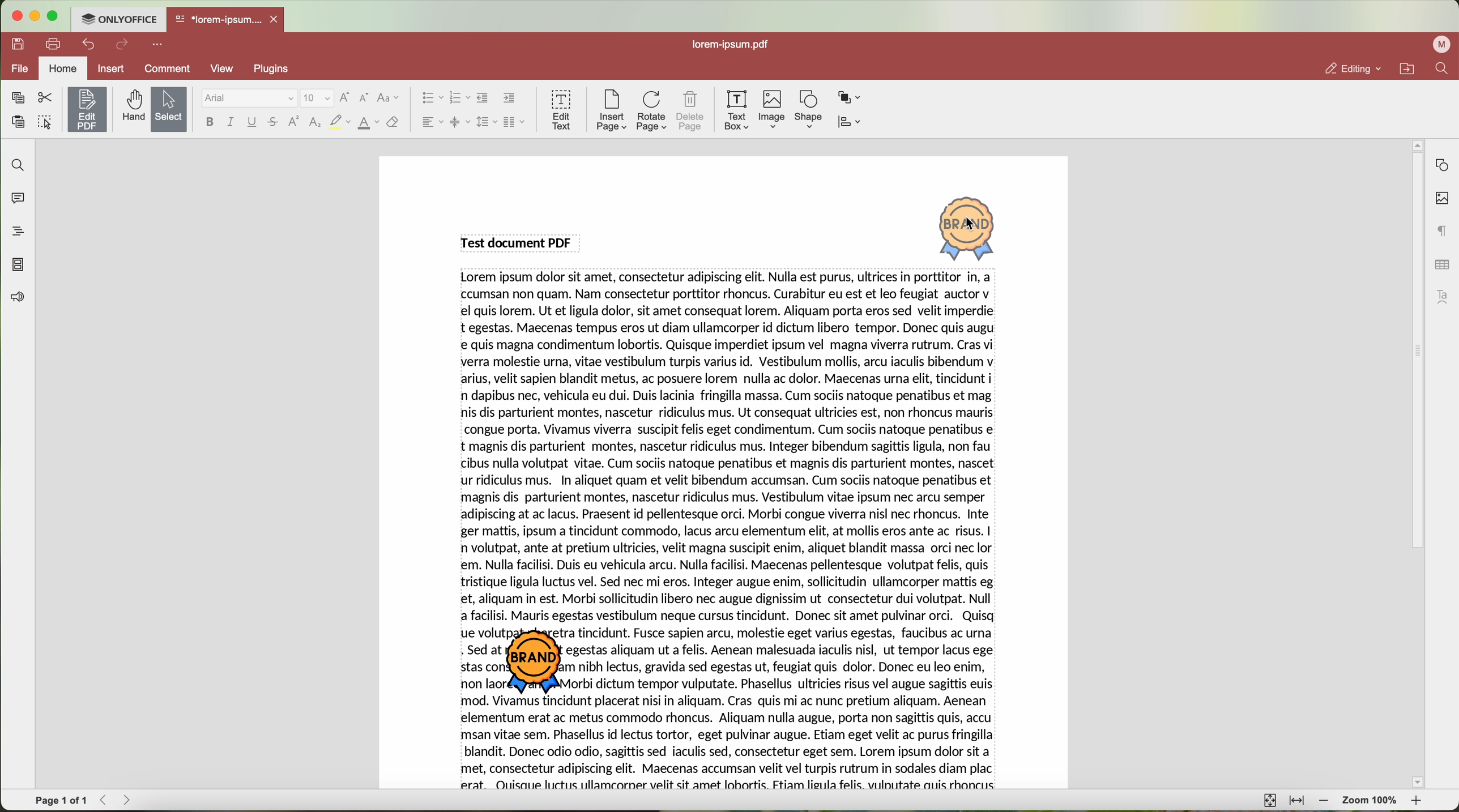 This screenshot has height=812, width=1459. What do you see at coordinates (278, 69) in the screenshot?
I see `plugins` at bounding box center [278, 69].